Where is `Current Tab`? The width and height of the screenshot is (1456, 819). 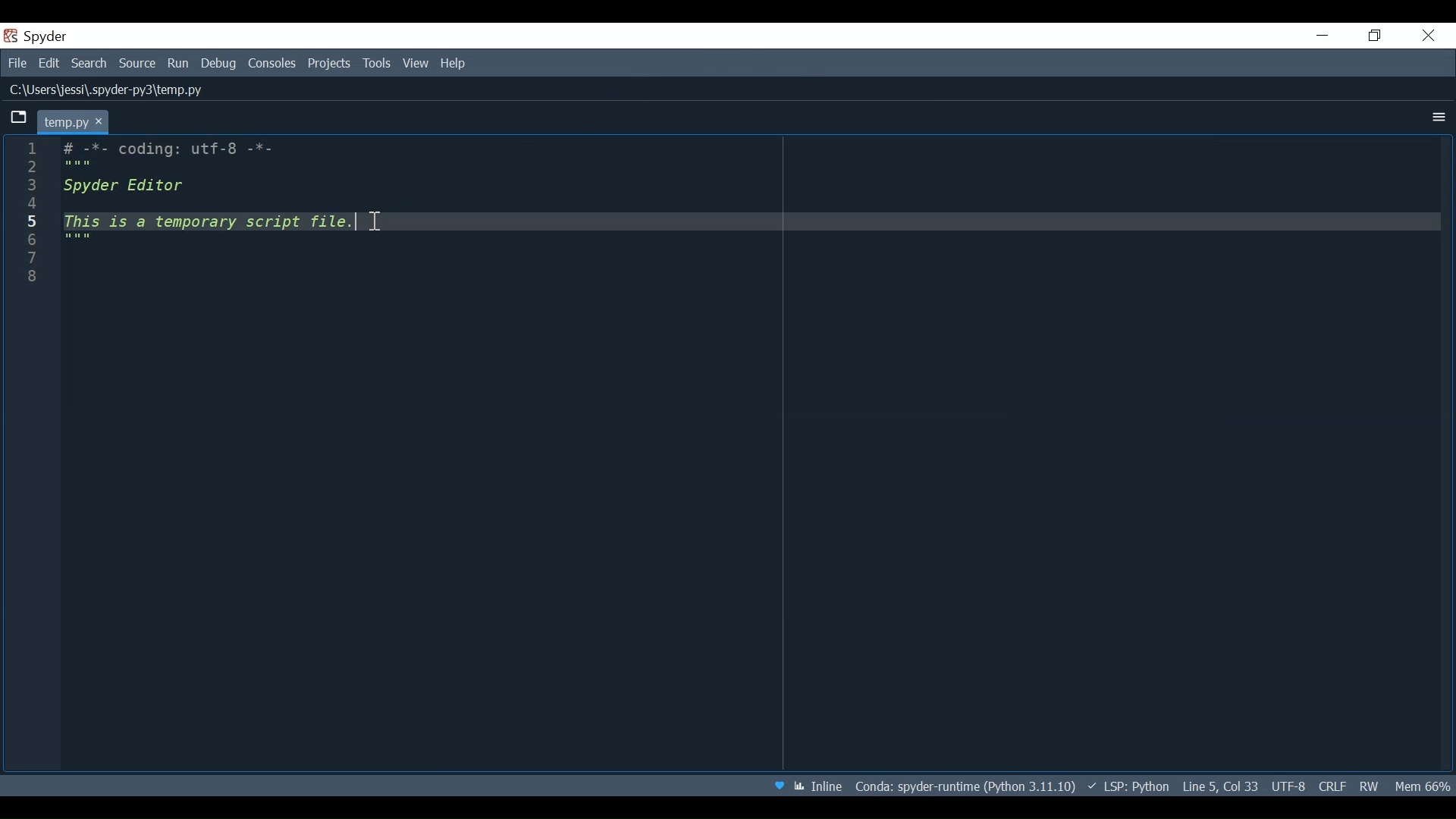
Current Tab is located at coordinates (74, 121).